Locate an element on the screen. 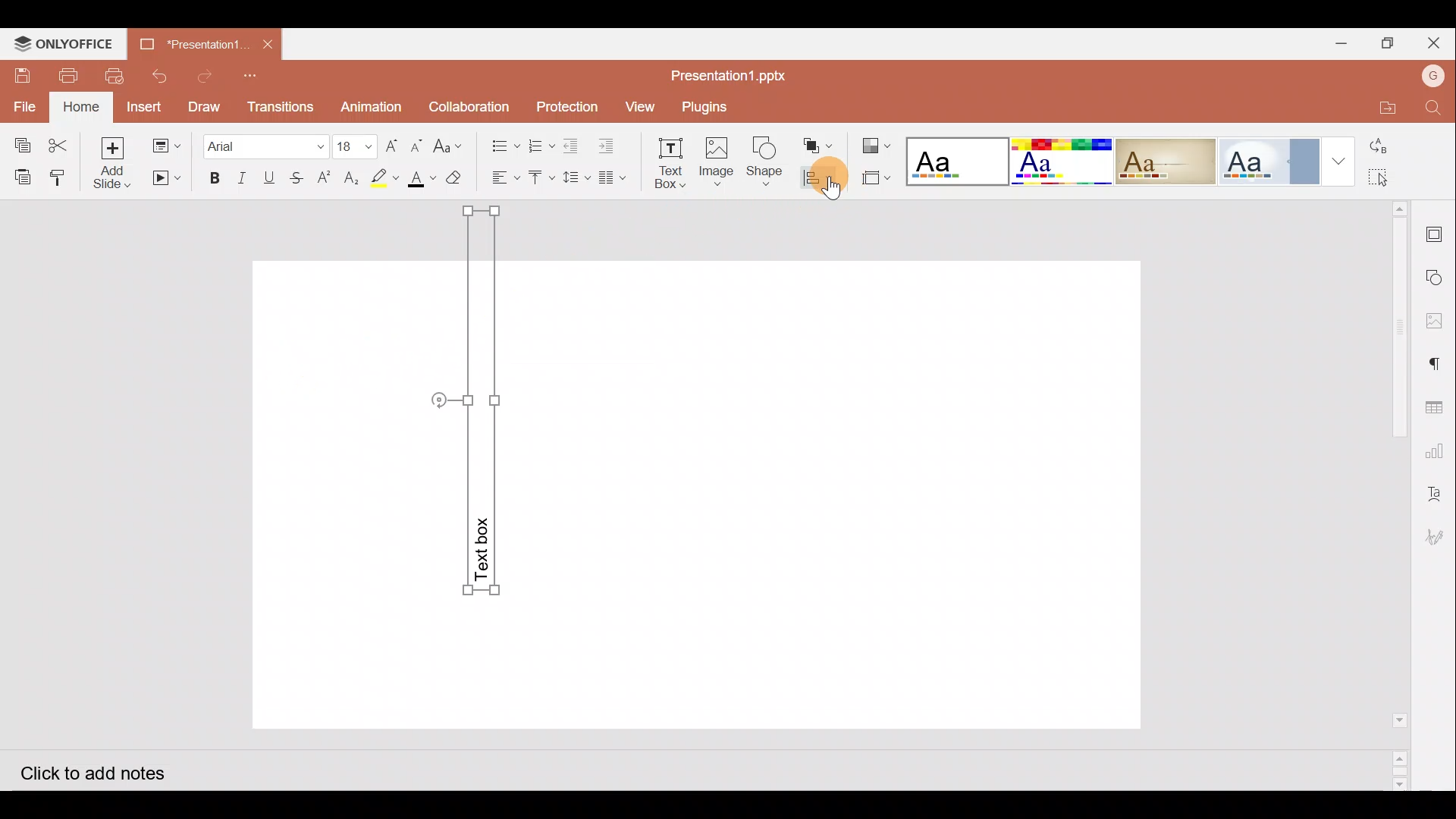 The image size is (1456, 819). Underline is located at coordinates (269, 177).